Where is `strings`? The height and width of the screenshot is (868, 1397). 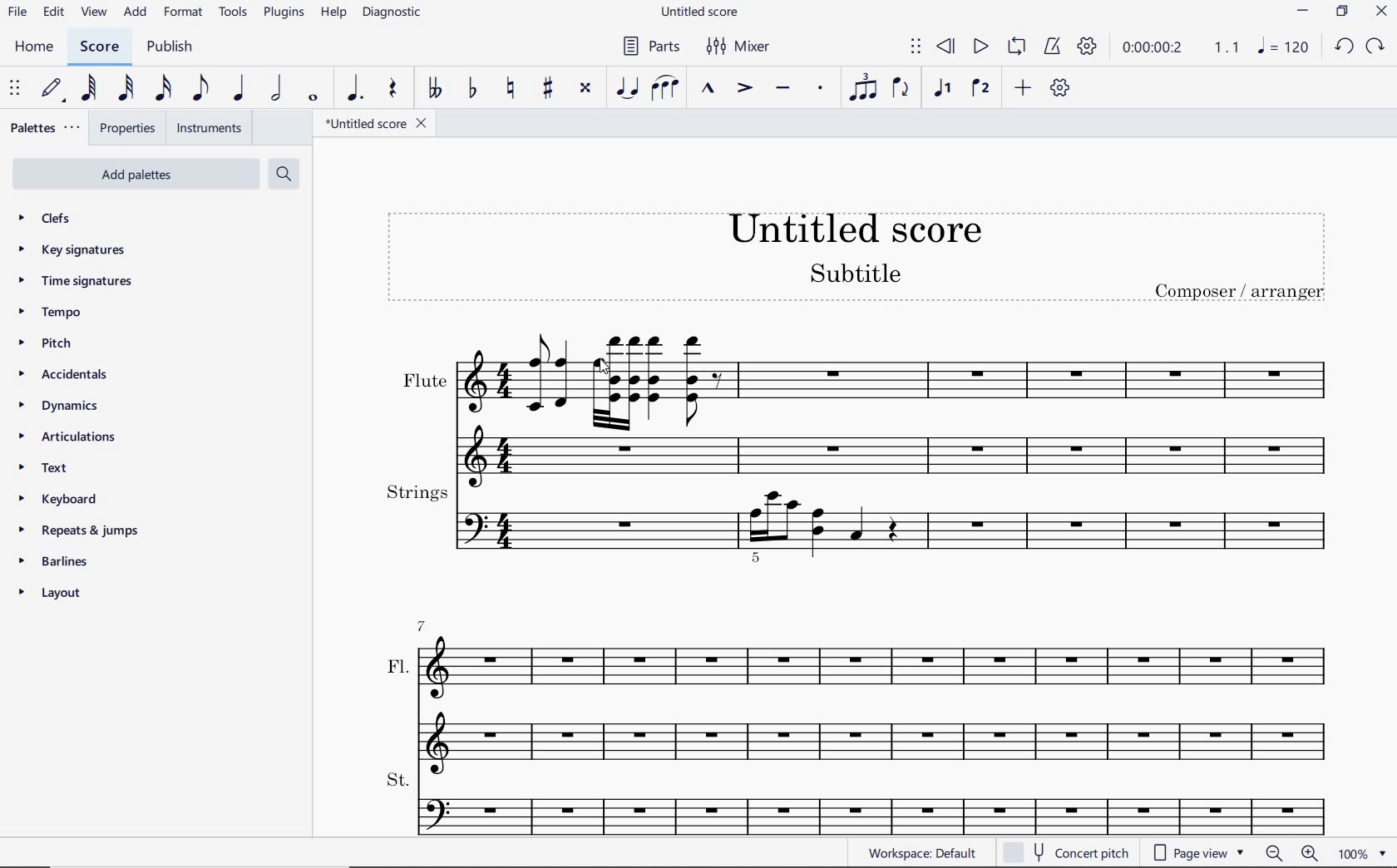
strings is located at coordinates (872, 526).